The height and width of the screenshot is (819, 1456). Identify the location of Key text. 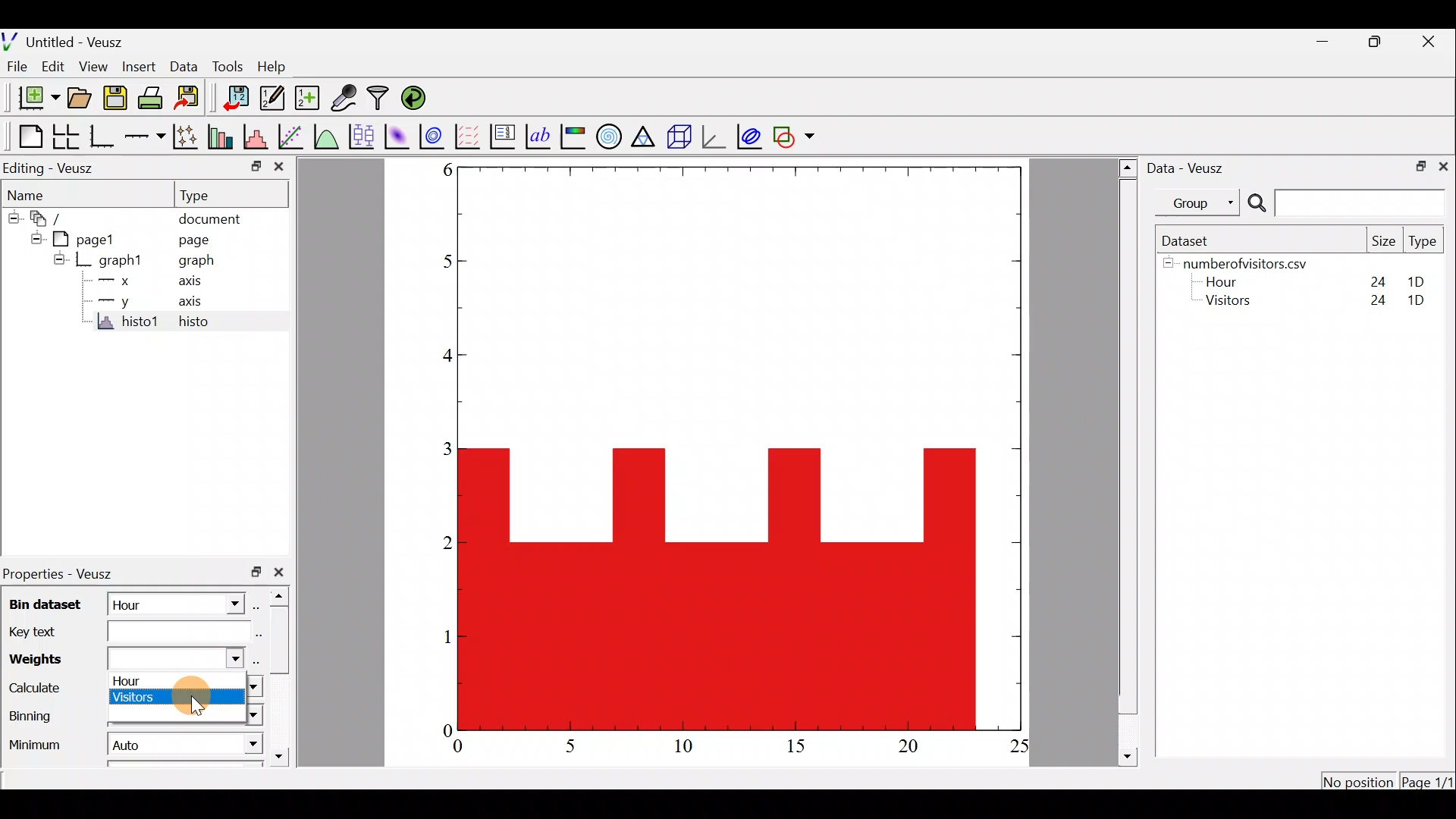
(123, 633).